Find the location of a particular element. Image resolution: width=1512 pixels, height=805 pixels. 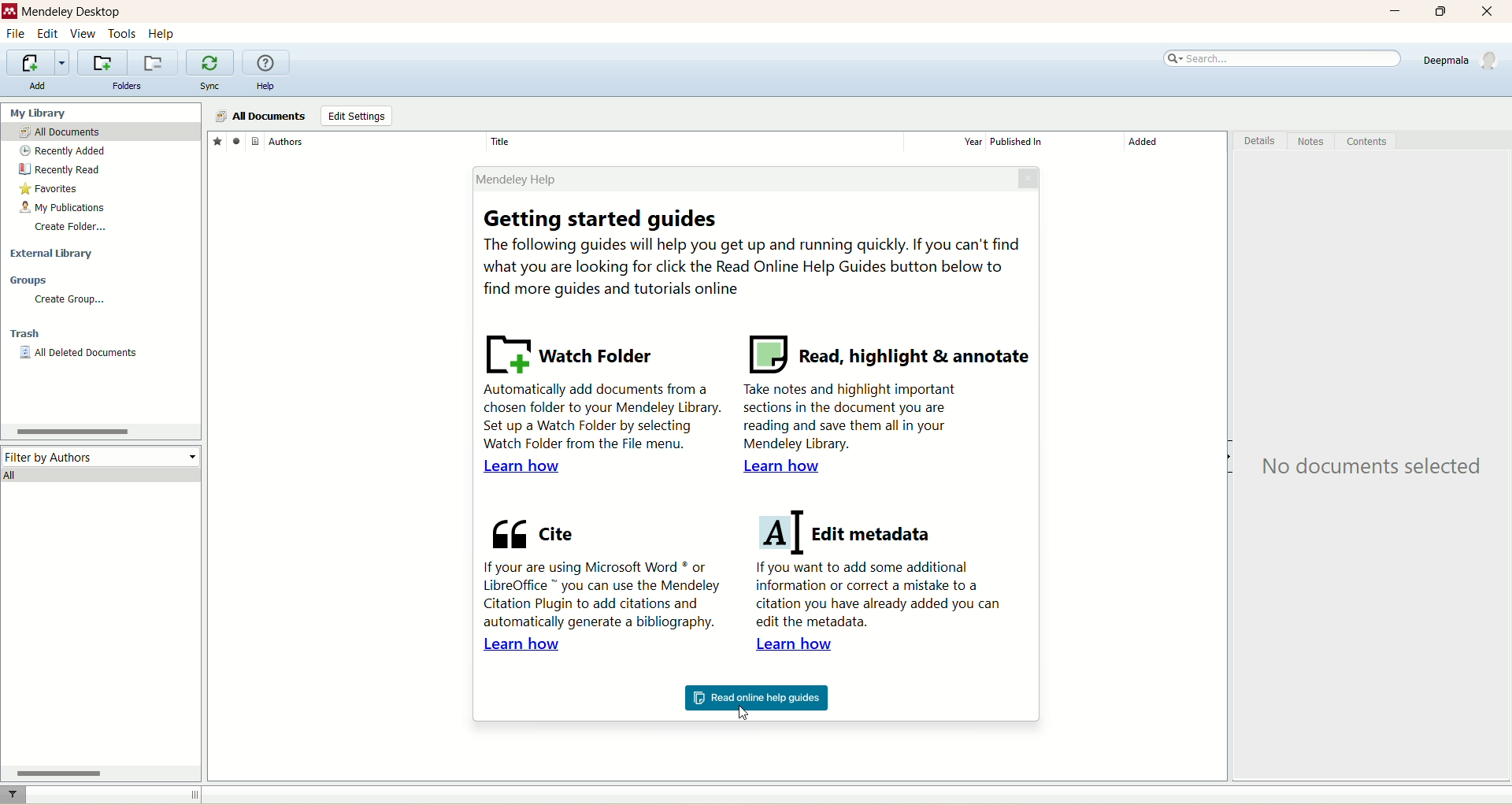

minimize is located at coordinates (1393, 12).